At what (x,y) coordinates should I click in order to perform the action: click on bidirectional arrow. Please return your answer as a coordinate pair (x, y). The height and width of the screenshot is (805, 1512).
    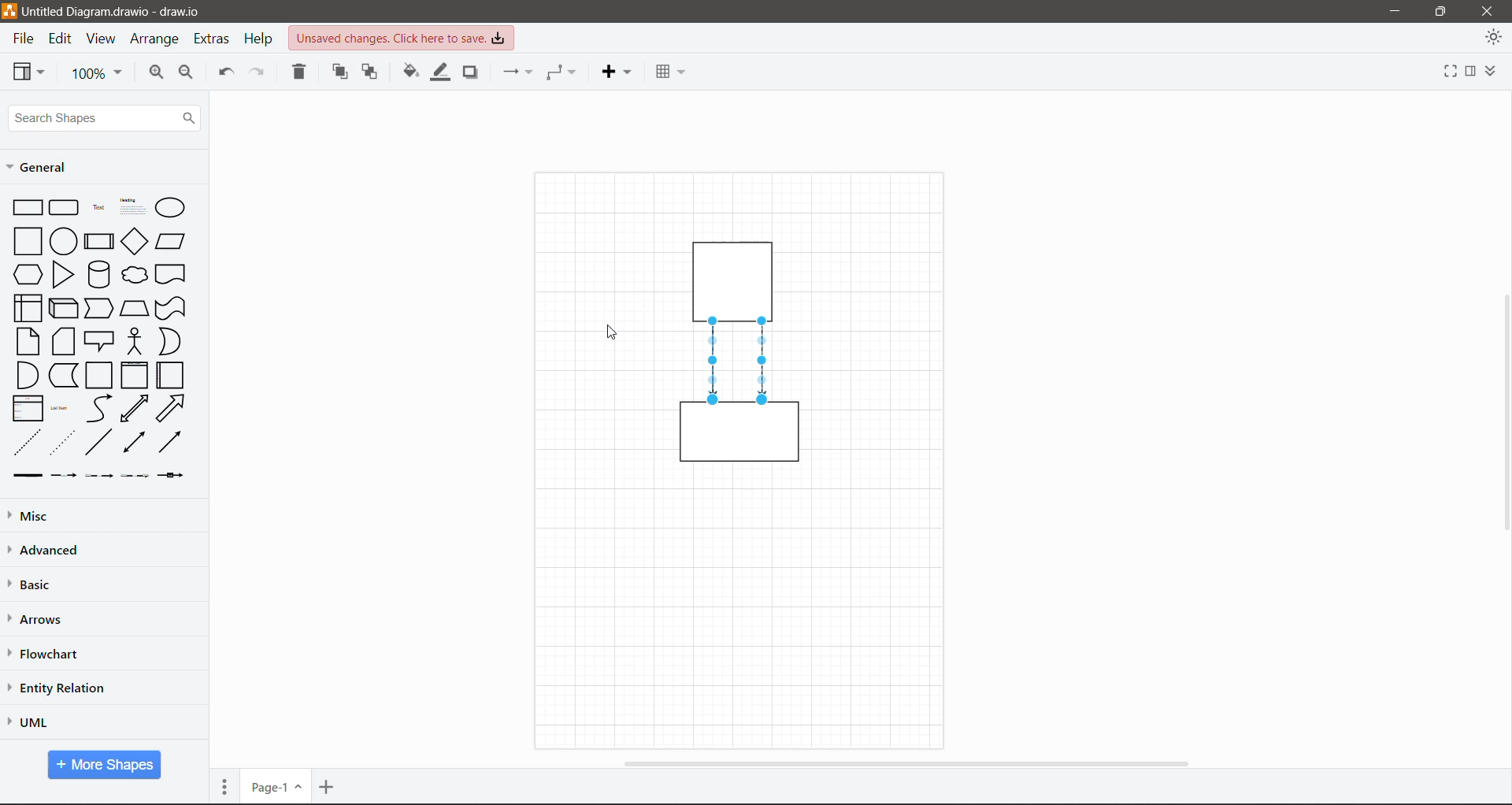
    Looking at the image, I should click on (135, 409).